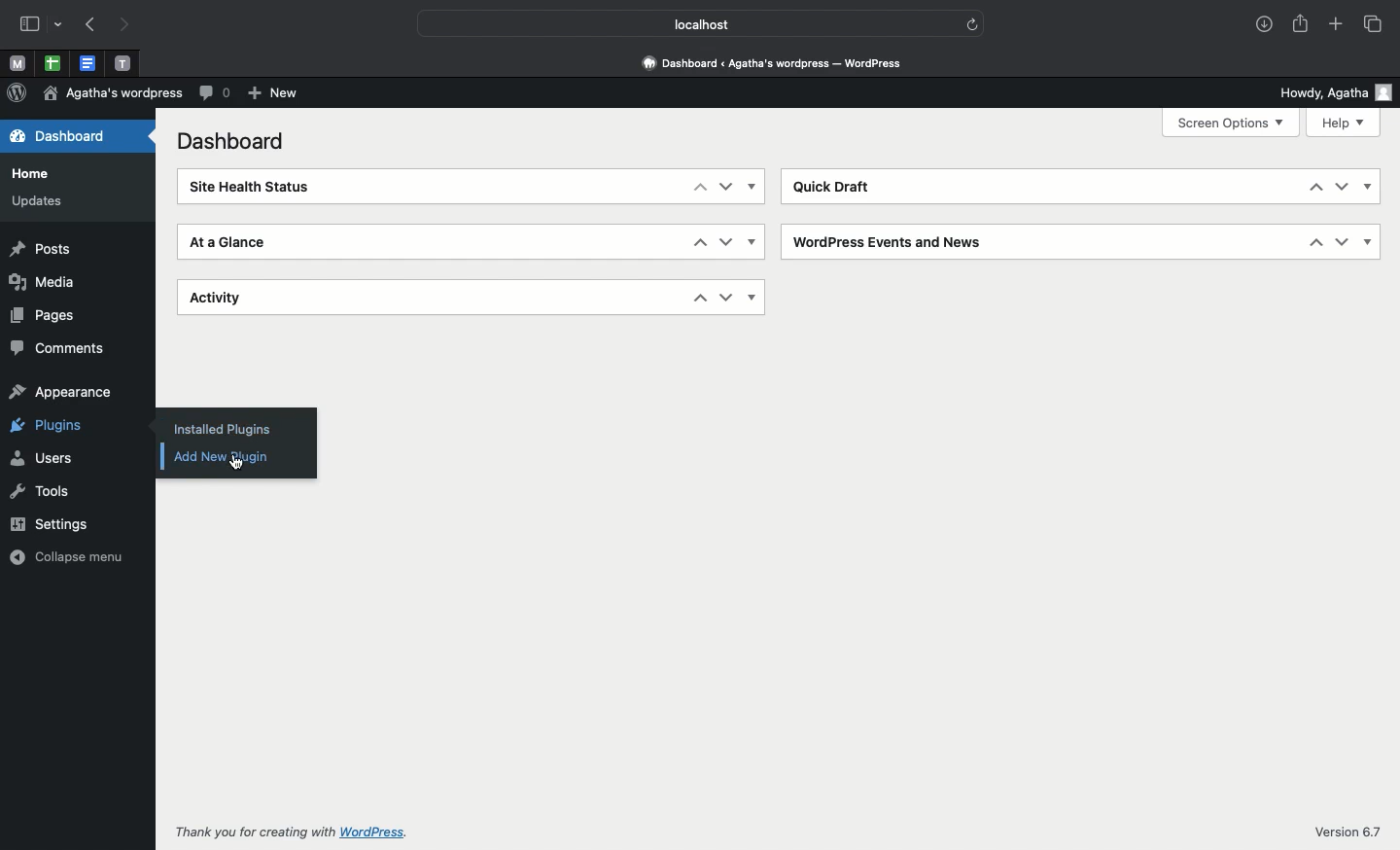 The image size is (1400, 850). What do you see at coordinates (767, 65) in the screenshot?
I see `Dashboard` at bounding box center [767, 65].